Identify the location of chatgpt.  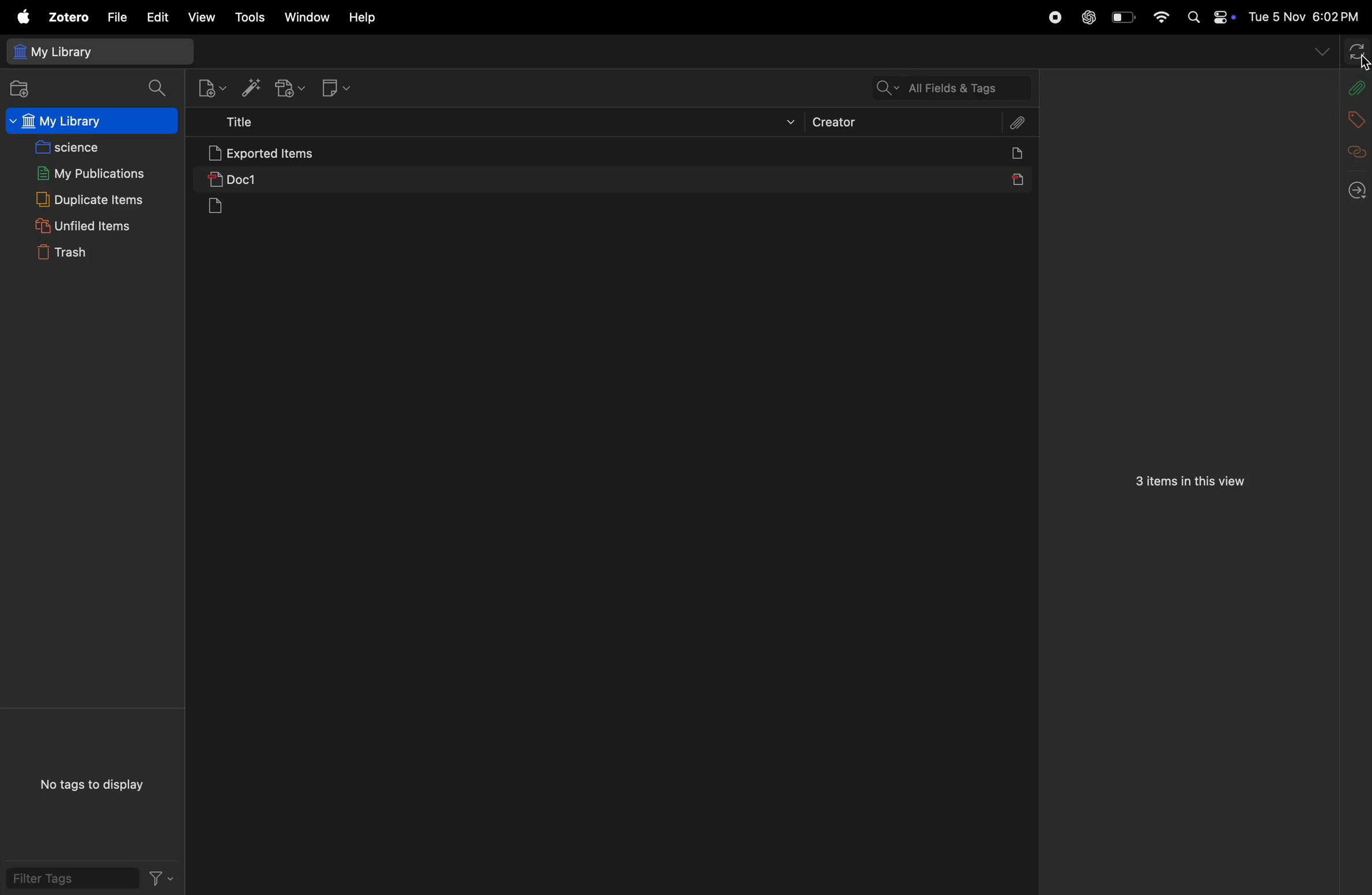
(1086, 17).